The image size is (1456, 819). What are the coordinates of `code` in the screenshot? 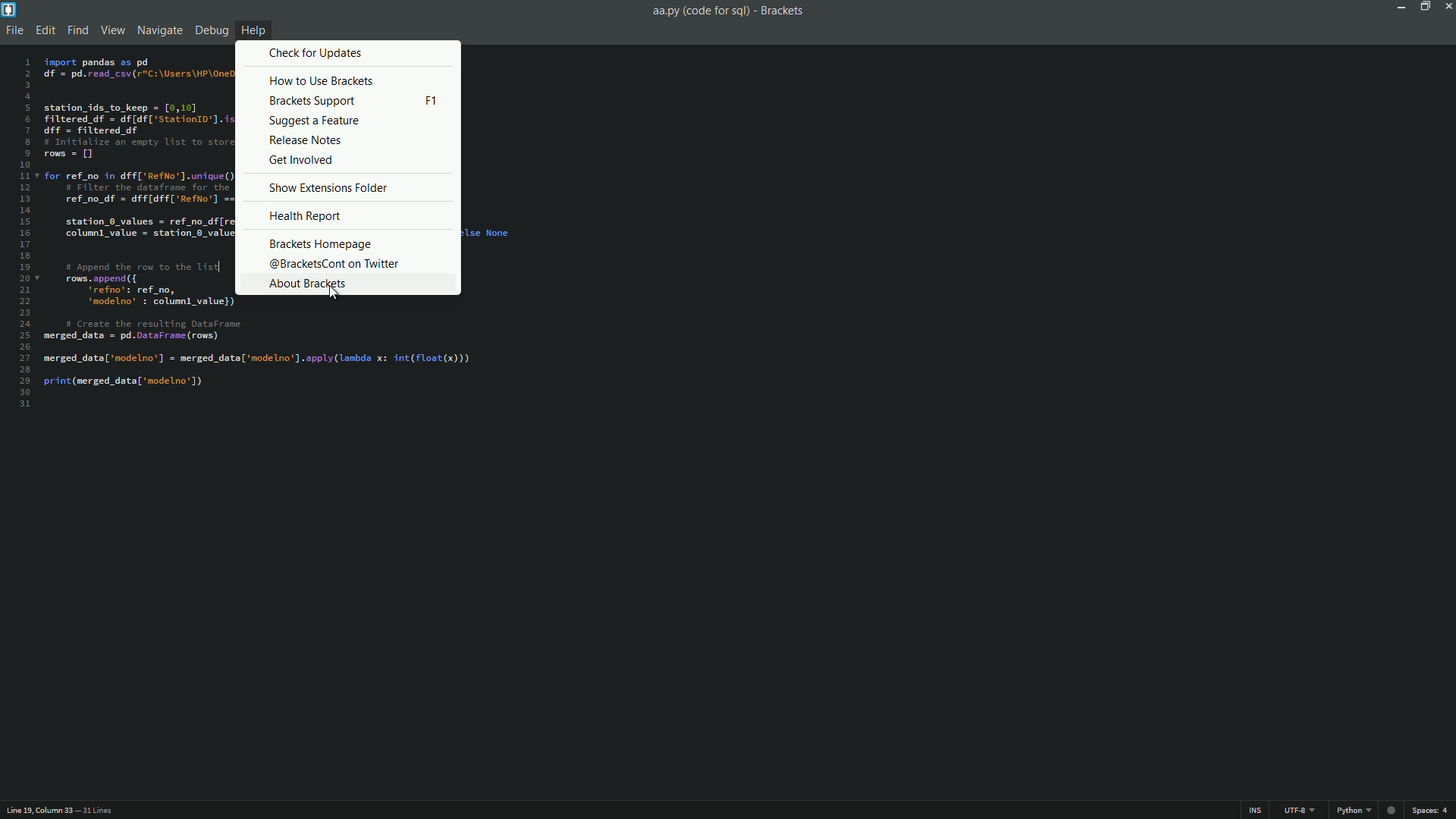 It's located at (134, 224).